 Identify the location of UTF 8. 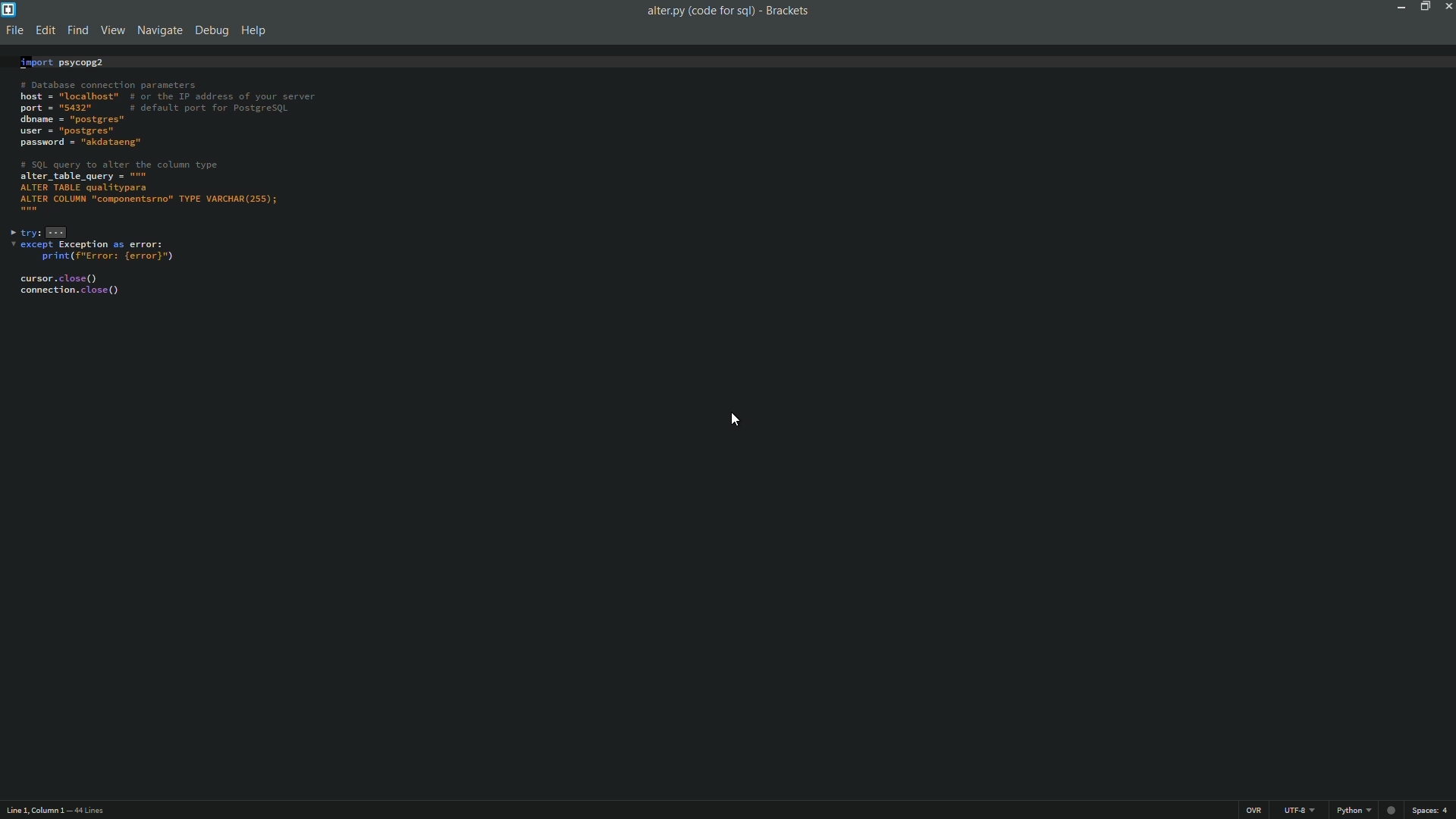
(1298, 810).